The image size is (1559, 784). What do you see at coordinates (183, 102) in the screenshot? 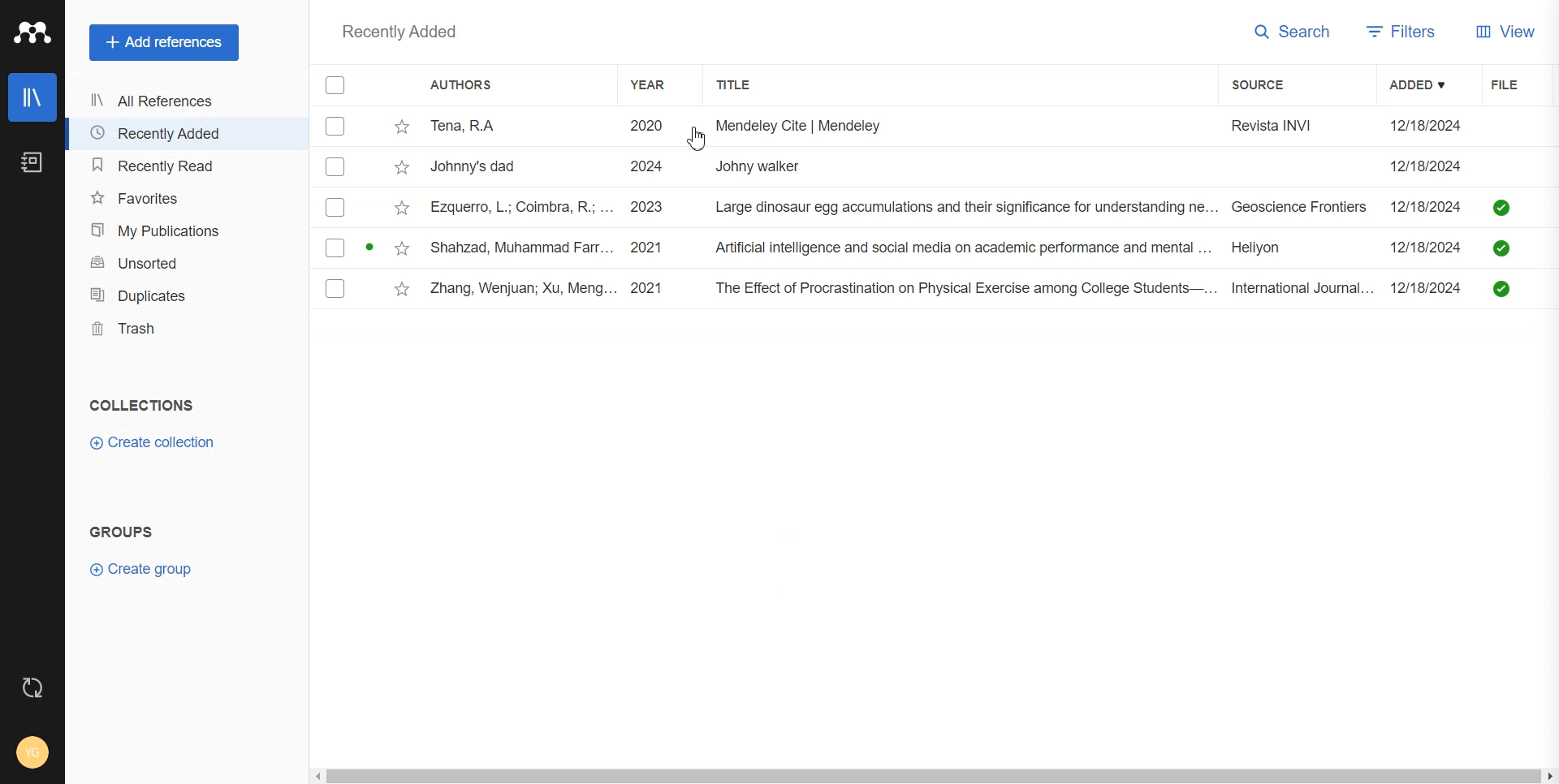
I see `All References` at bounding box center [183, 102].